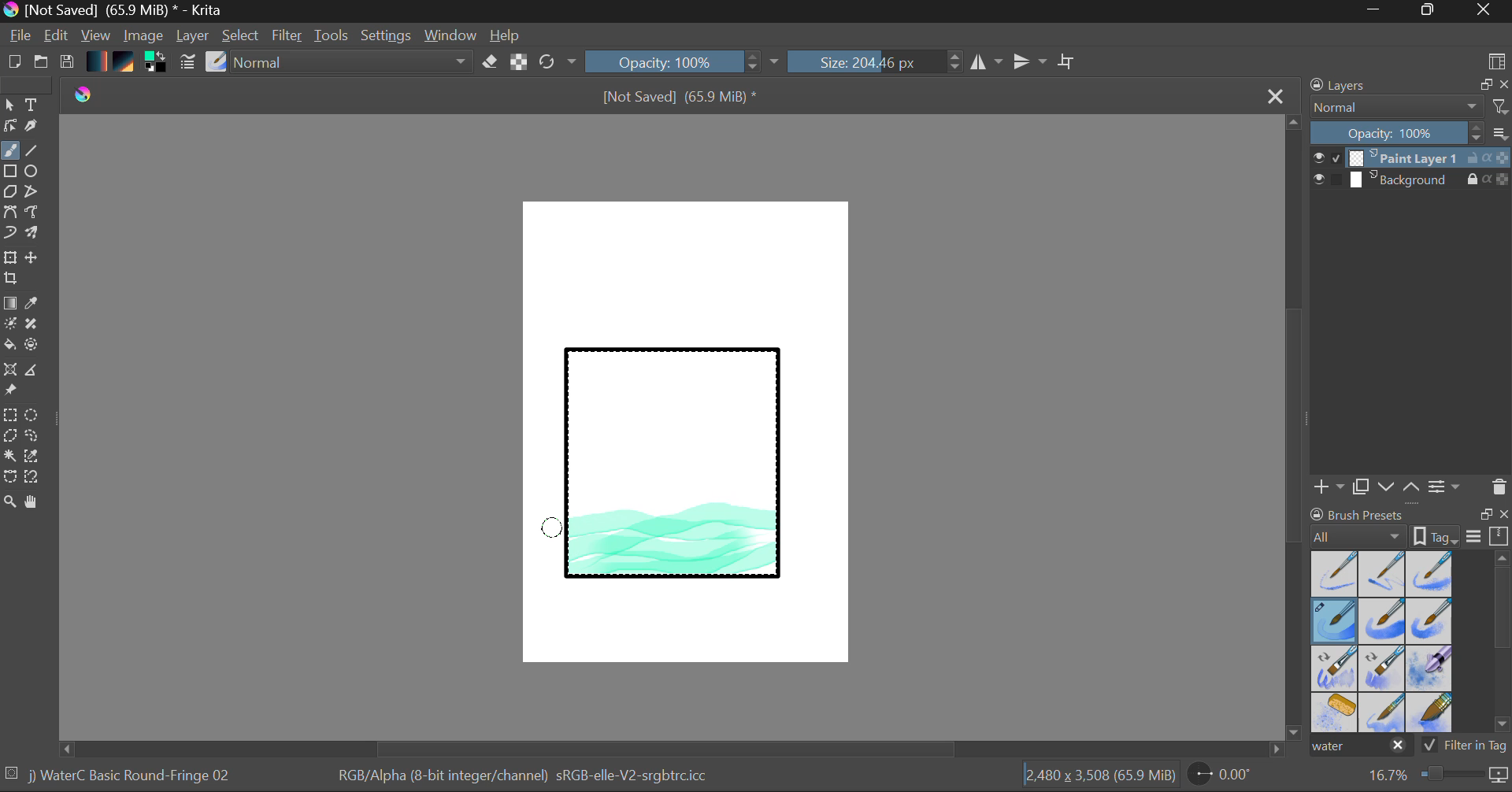 This screenshot has width=1512, height=792. What do you see at coordinates (684, 61) in the screenshot?
I see `Opacity` at bounding box center [684, 61].